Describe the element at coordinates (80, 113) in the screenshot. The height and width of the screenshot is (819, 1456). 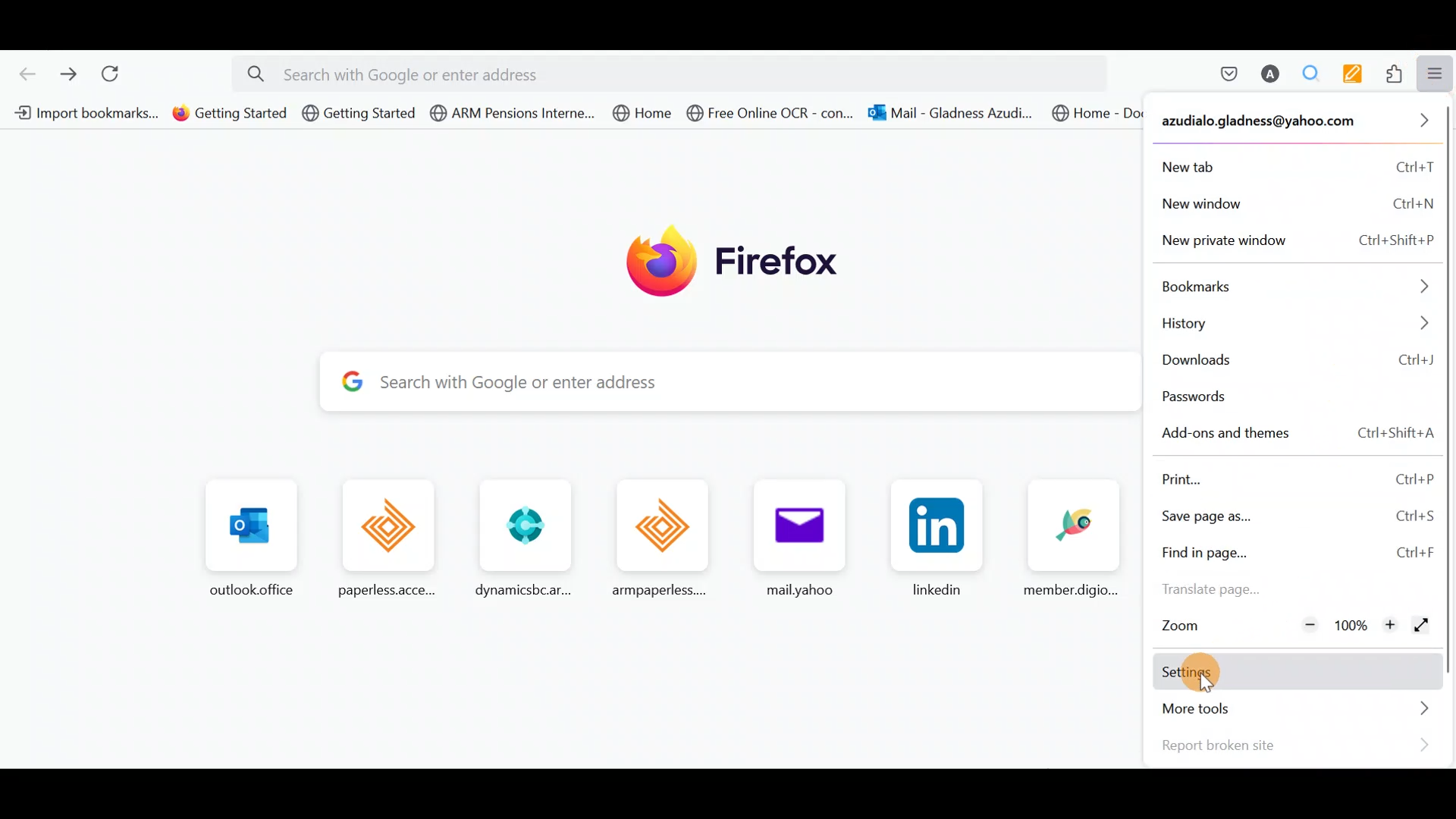
I see `Bookmarks` at that location.